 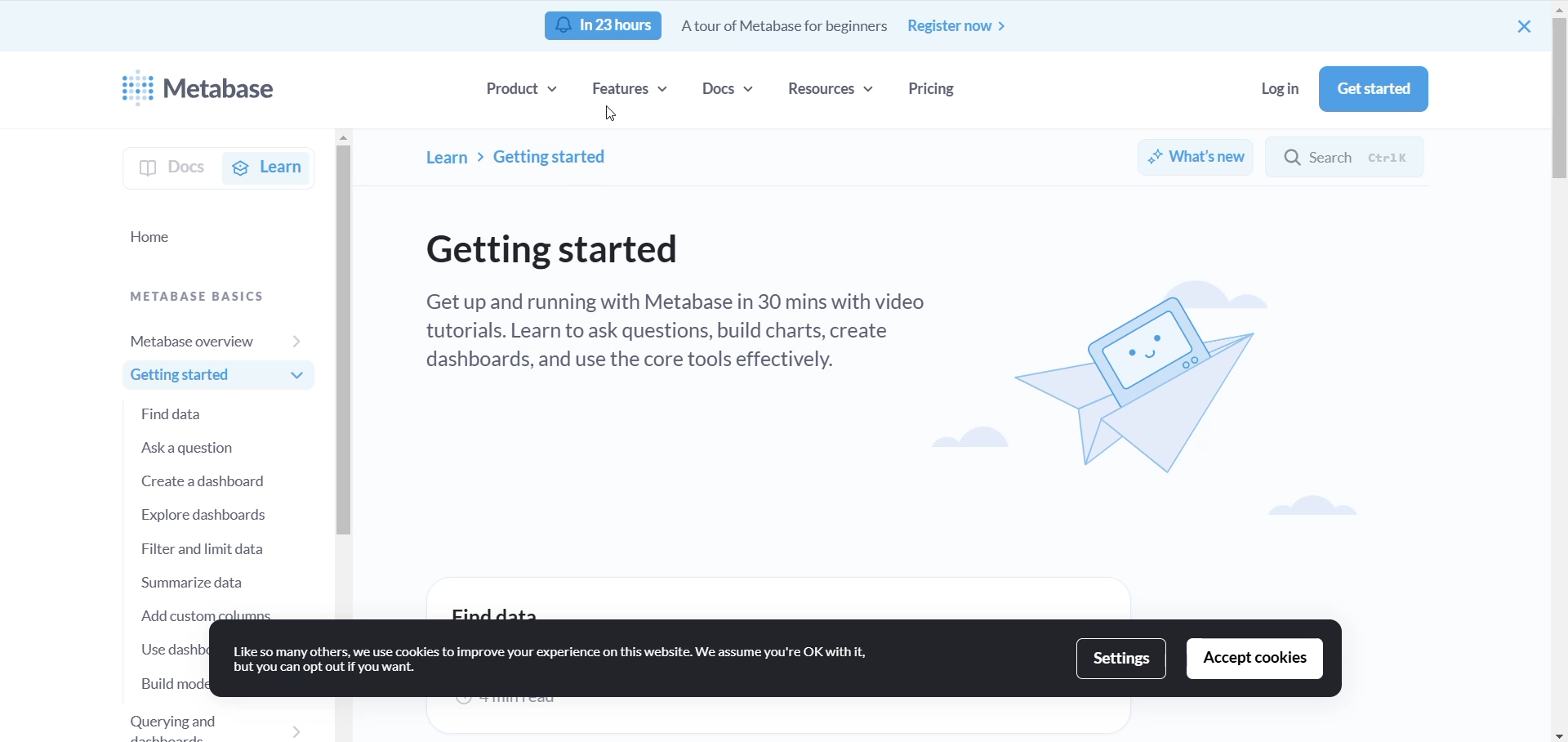 I want to click on log in, so click(x=1268, y=87).